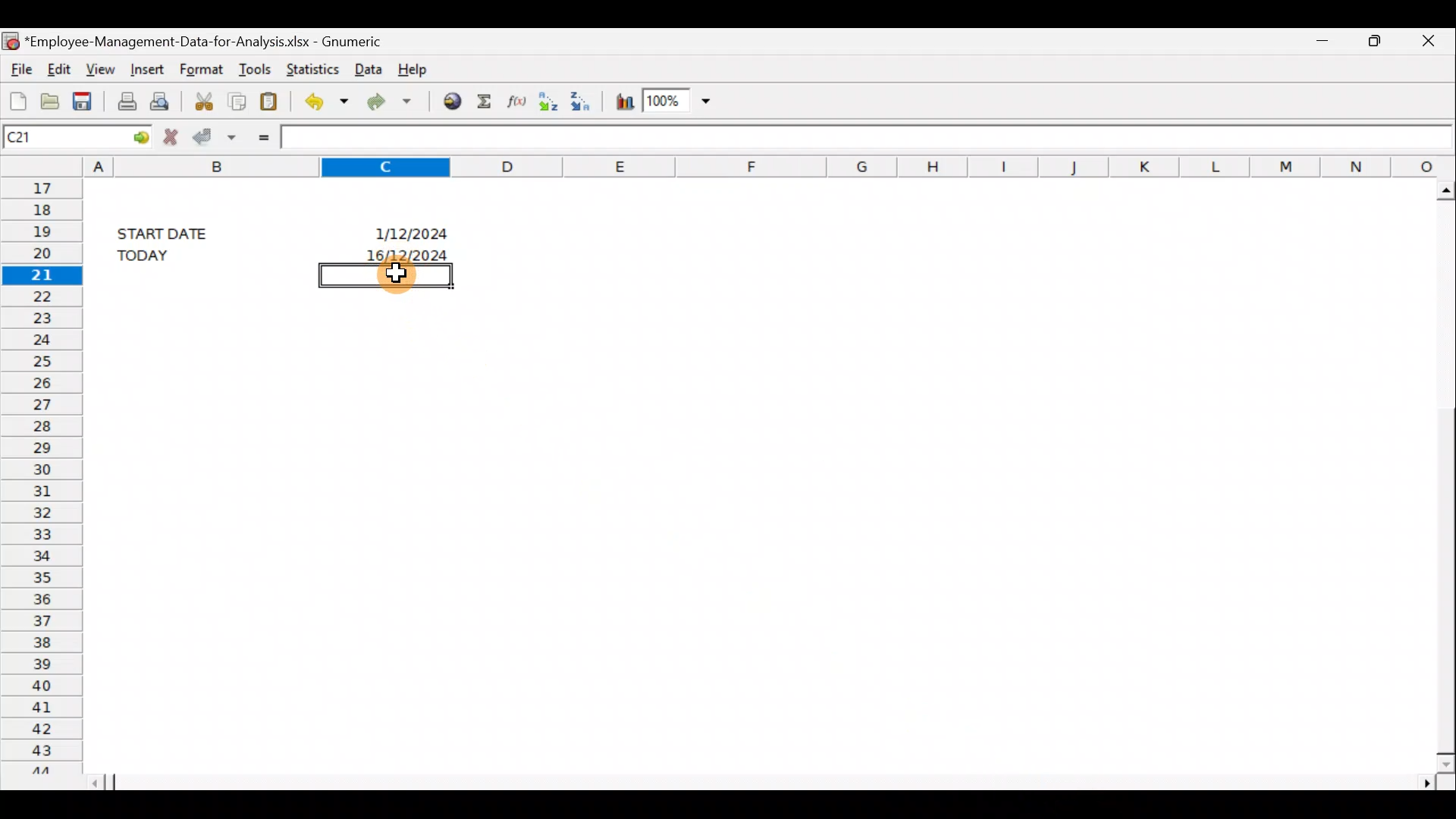 This screenshot has width=1456, height=819. I want to click on Gnumeric logo, so click(11, 39).